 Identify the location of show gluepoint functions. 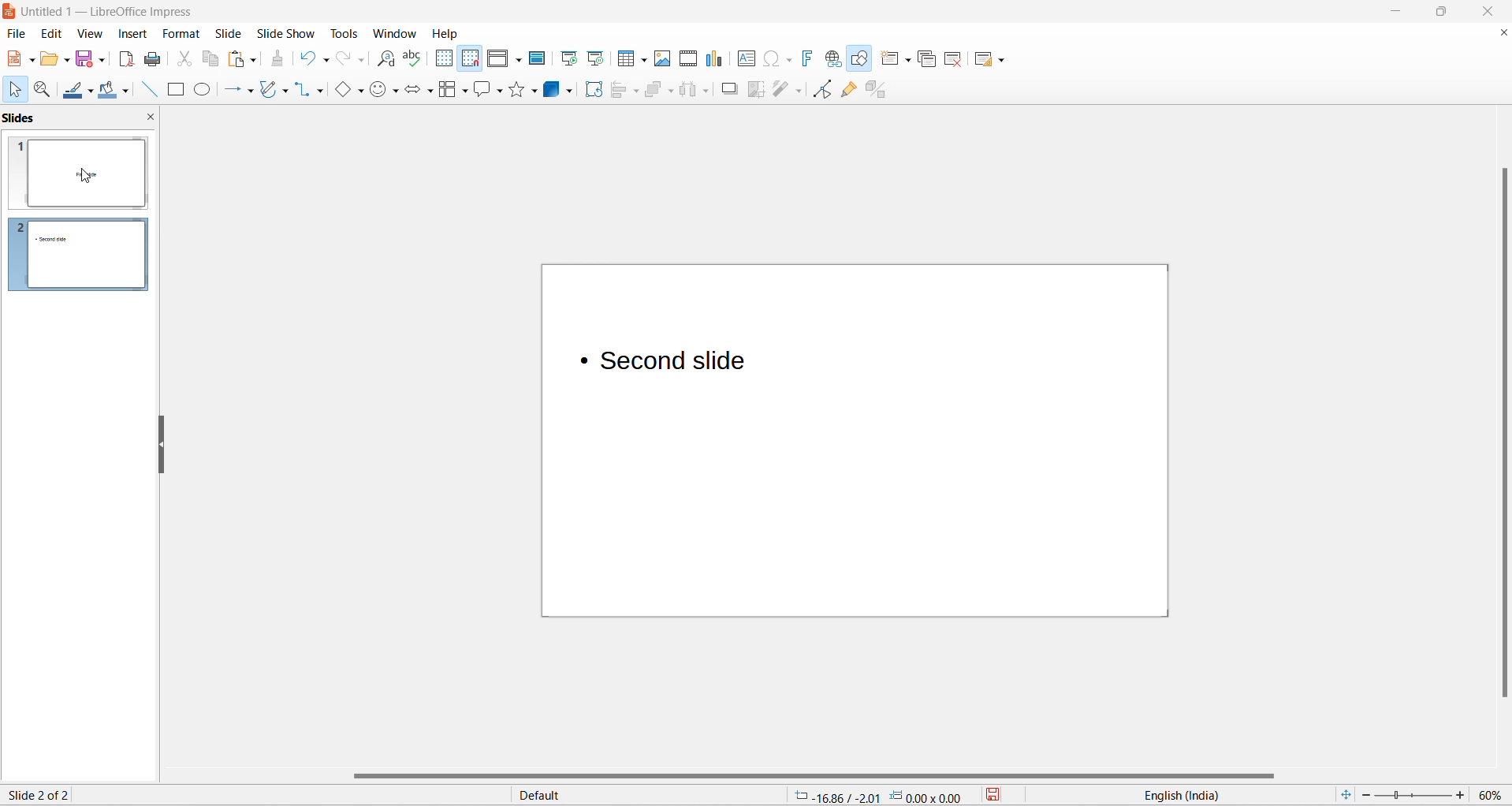
(850, 89).